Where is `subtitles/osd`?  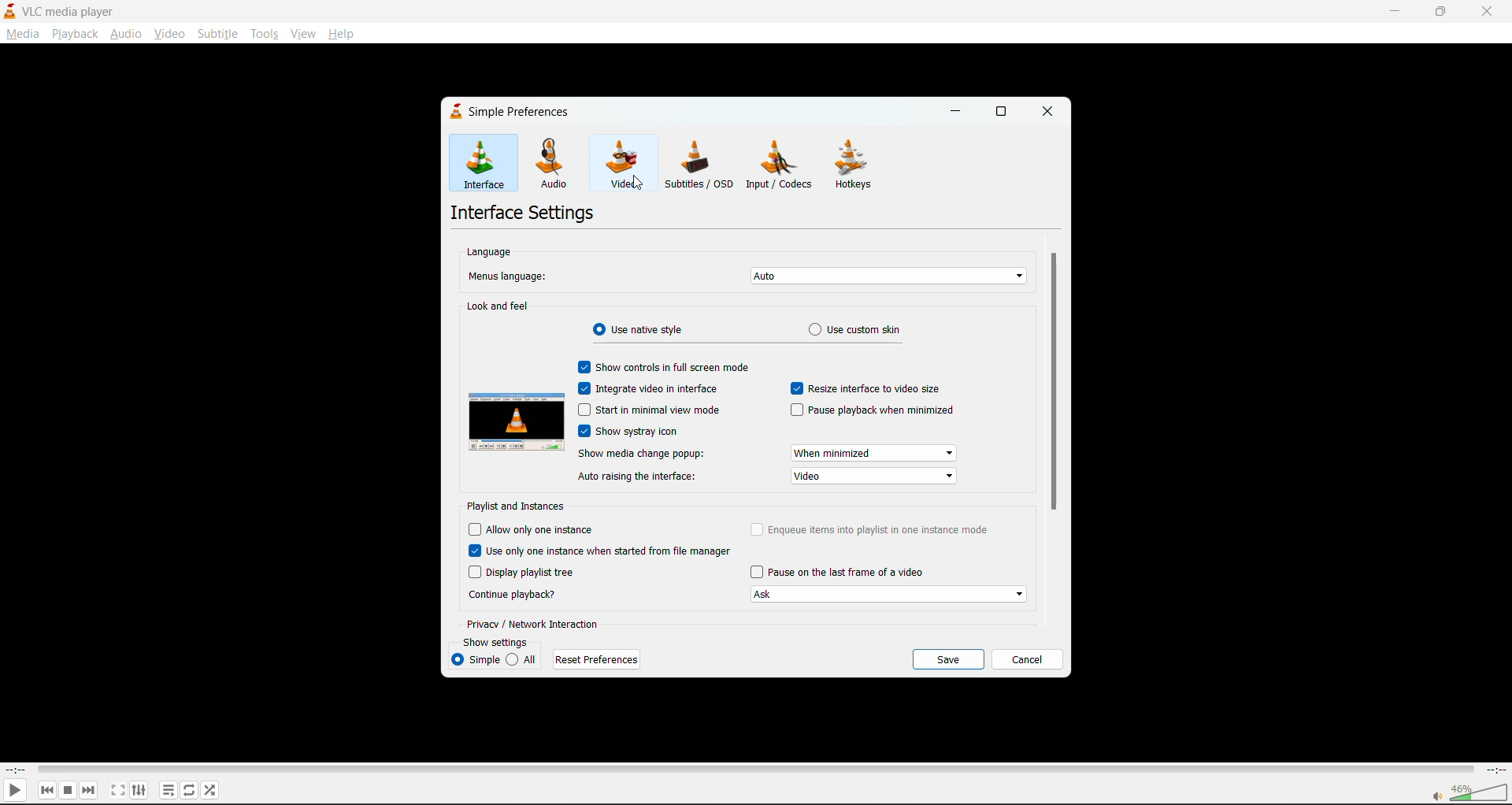
subtitles/osd is located at coordinates (699, 165).